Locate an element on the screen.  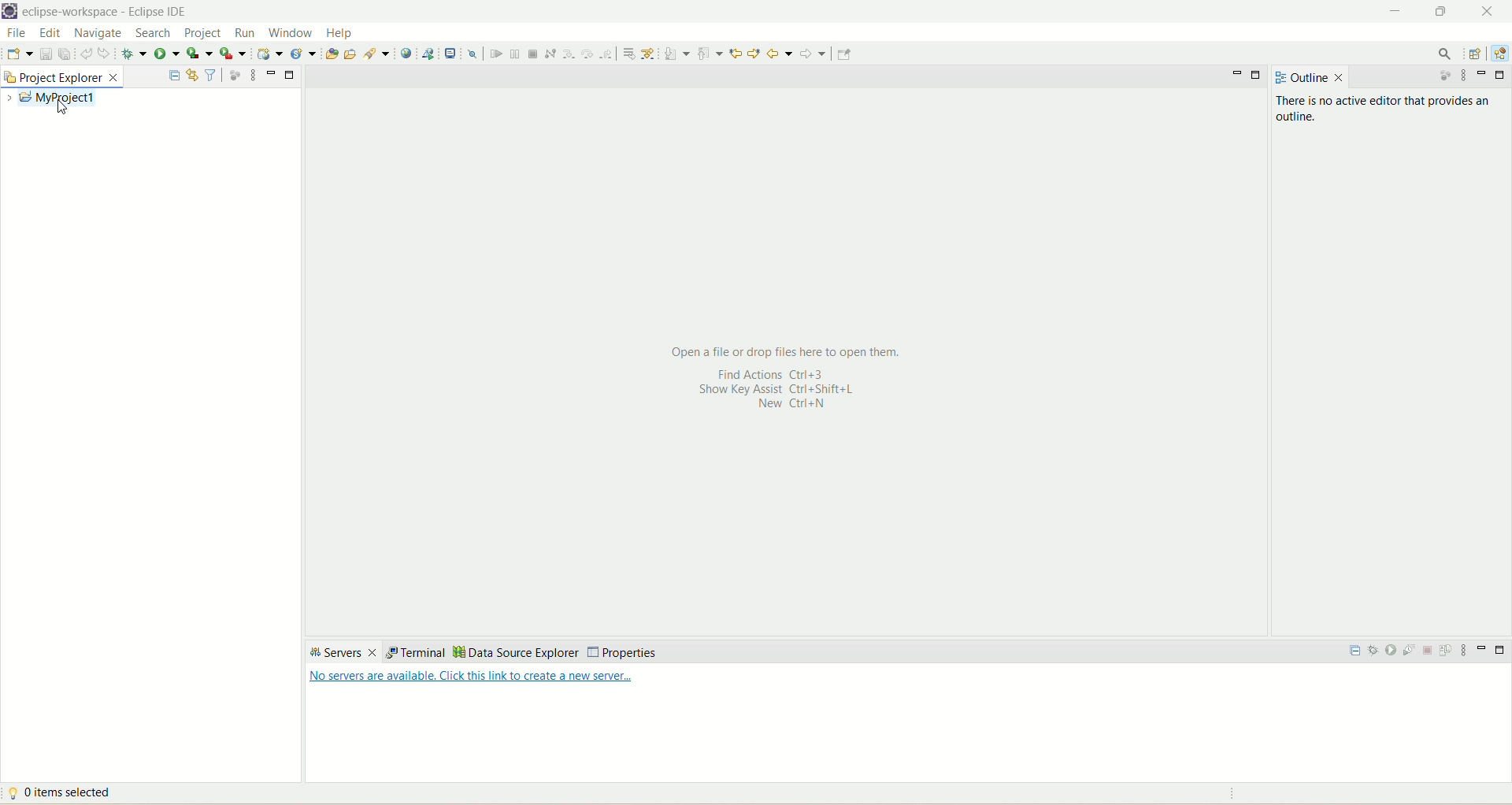
start the server is located at coordinates (1393, 653).